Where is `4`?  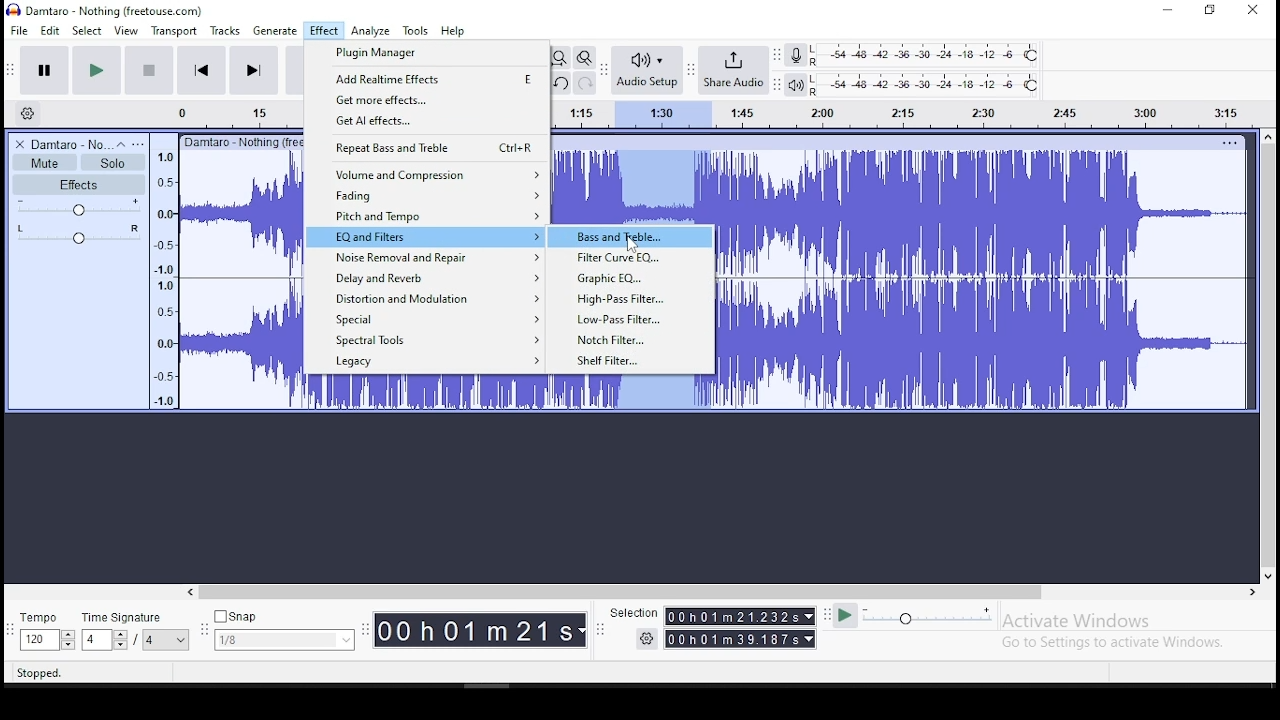
4 is located at coordinates (94, 640).